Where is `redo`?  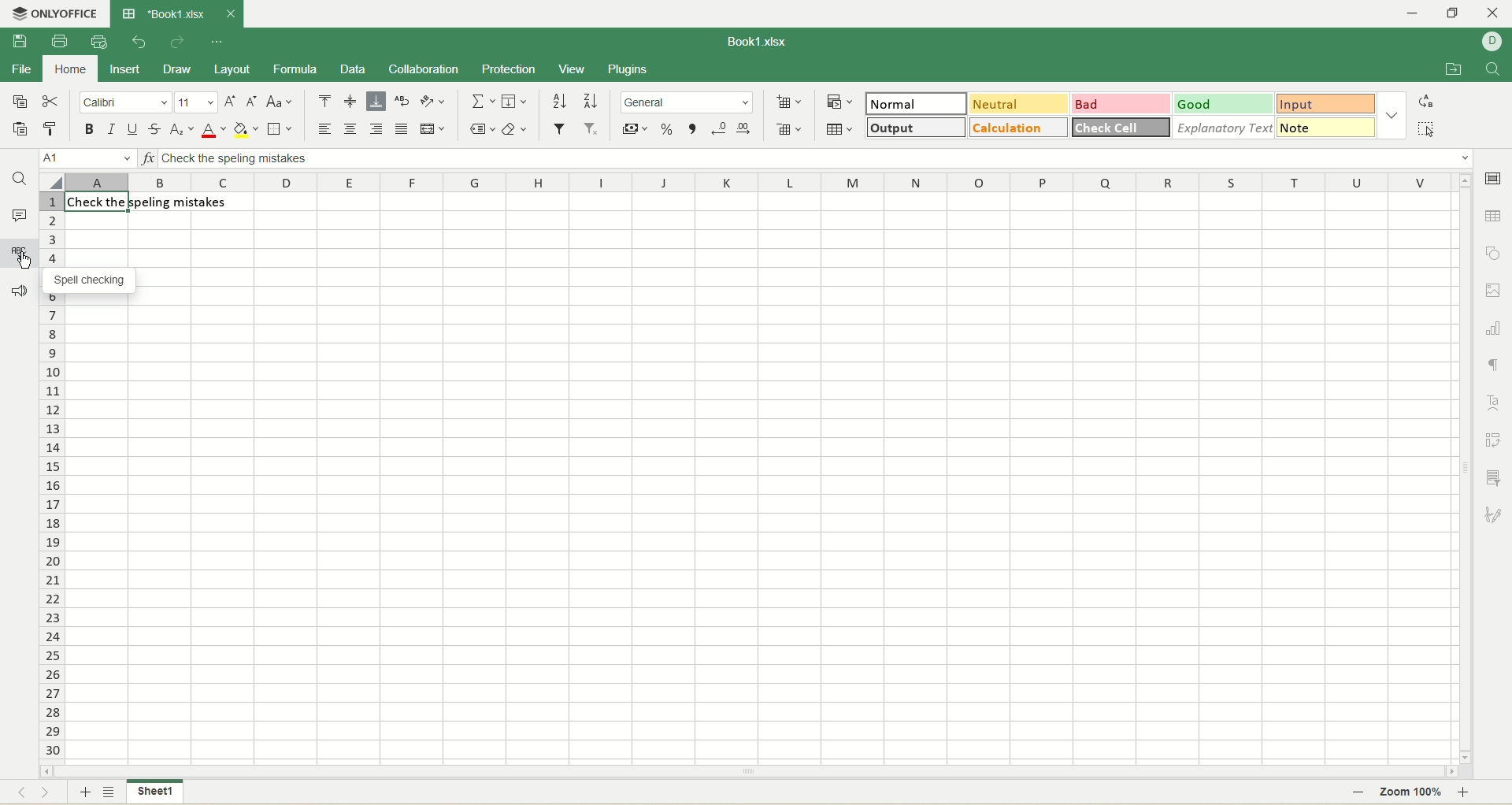 redo is located at coordinates (177, 42).